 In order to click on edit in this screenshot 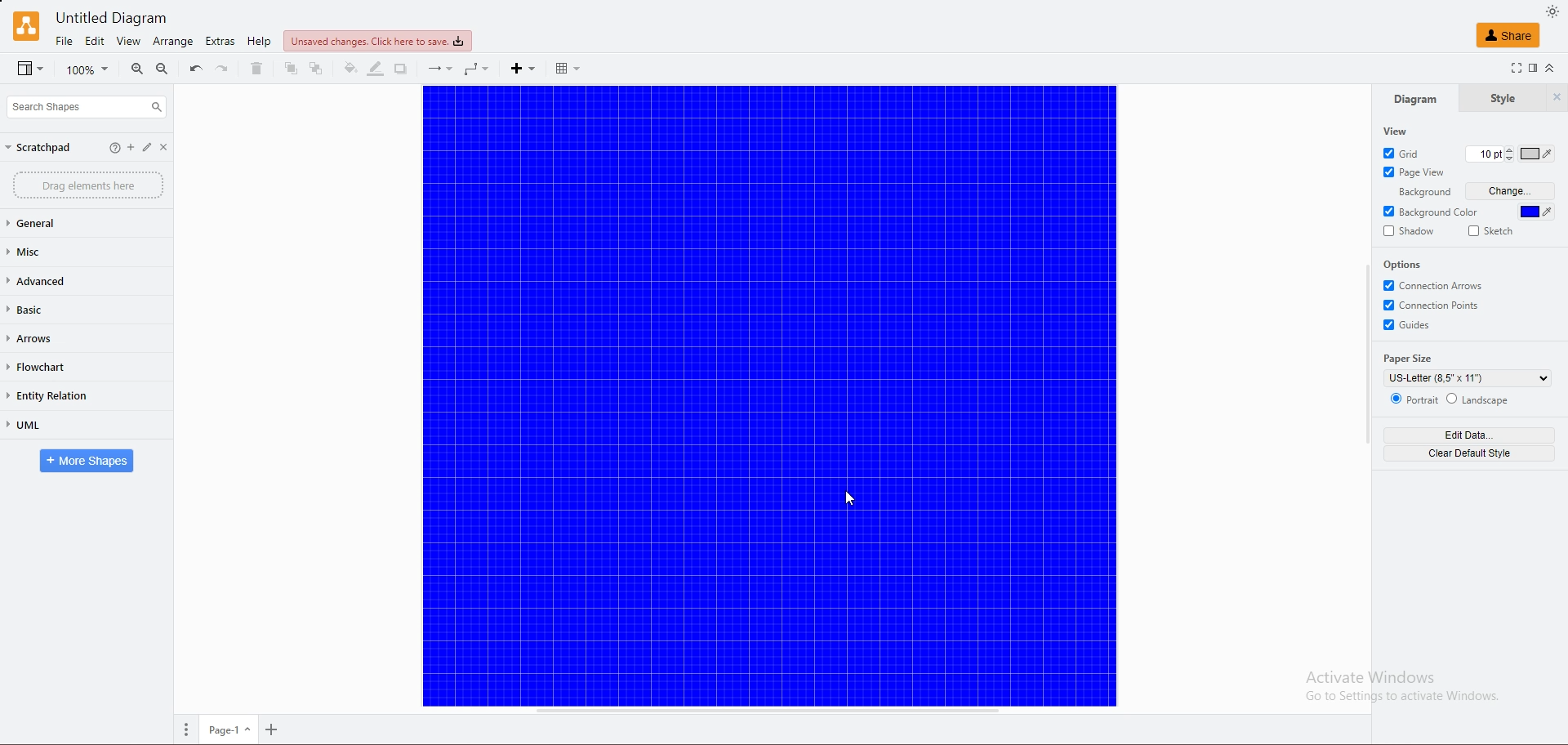, I will do `click(96, 41)`.